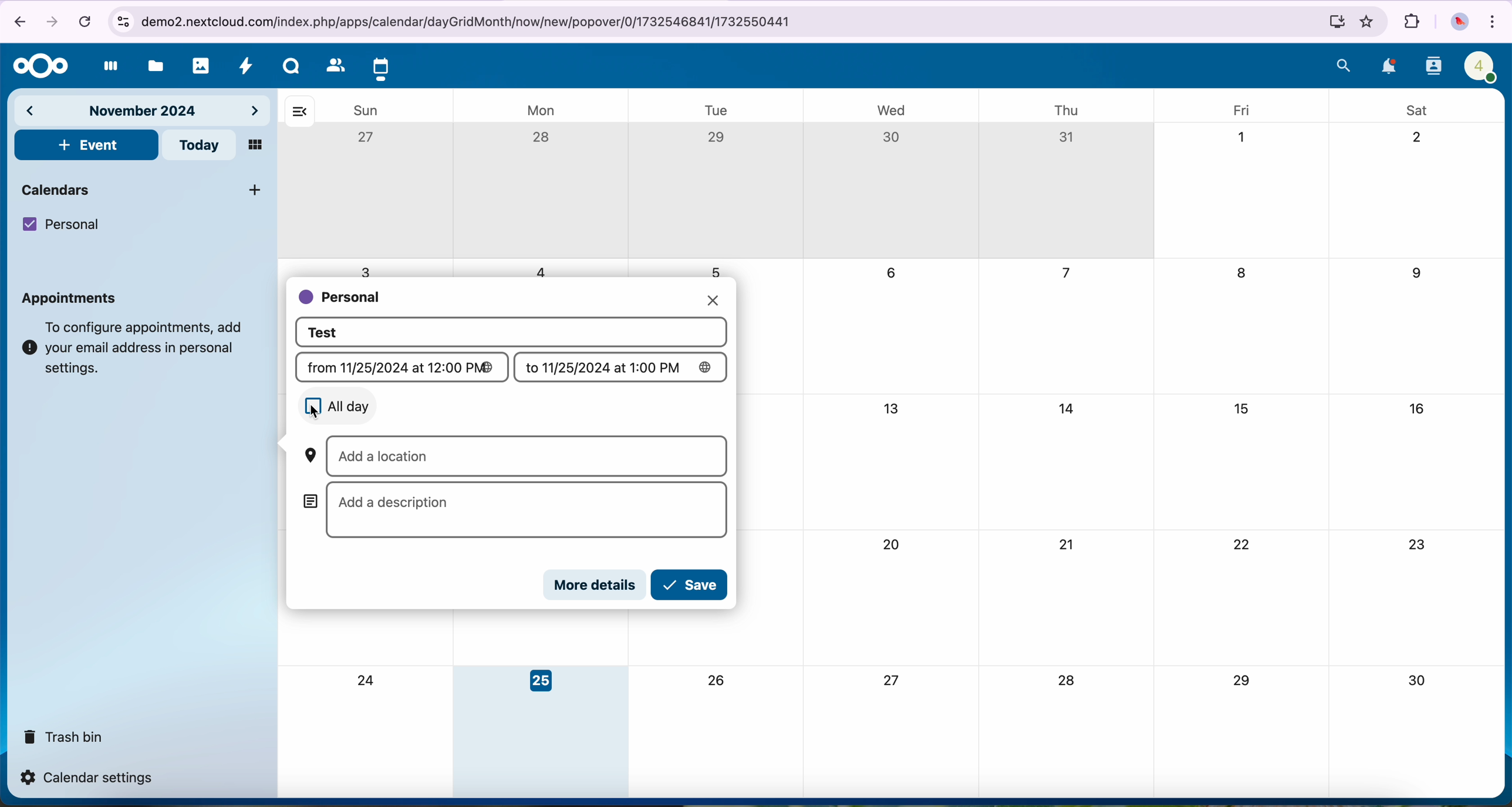  Describe the element at coordinates (1494, 21) in the screenshot. I see `customize and control Google Chrome` at that location.